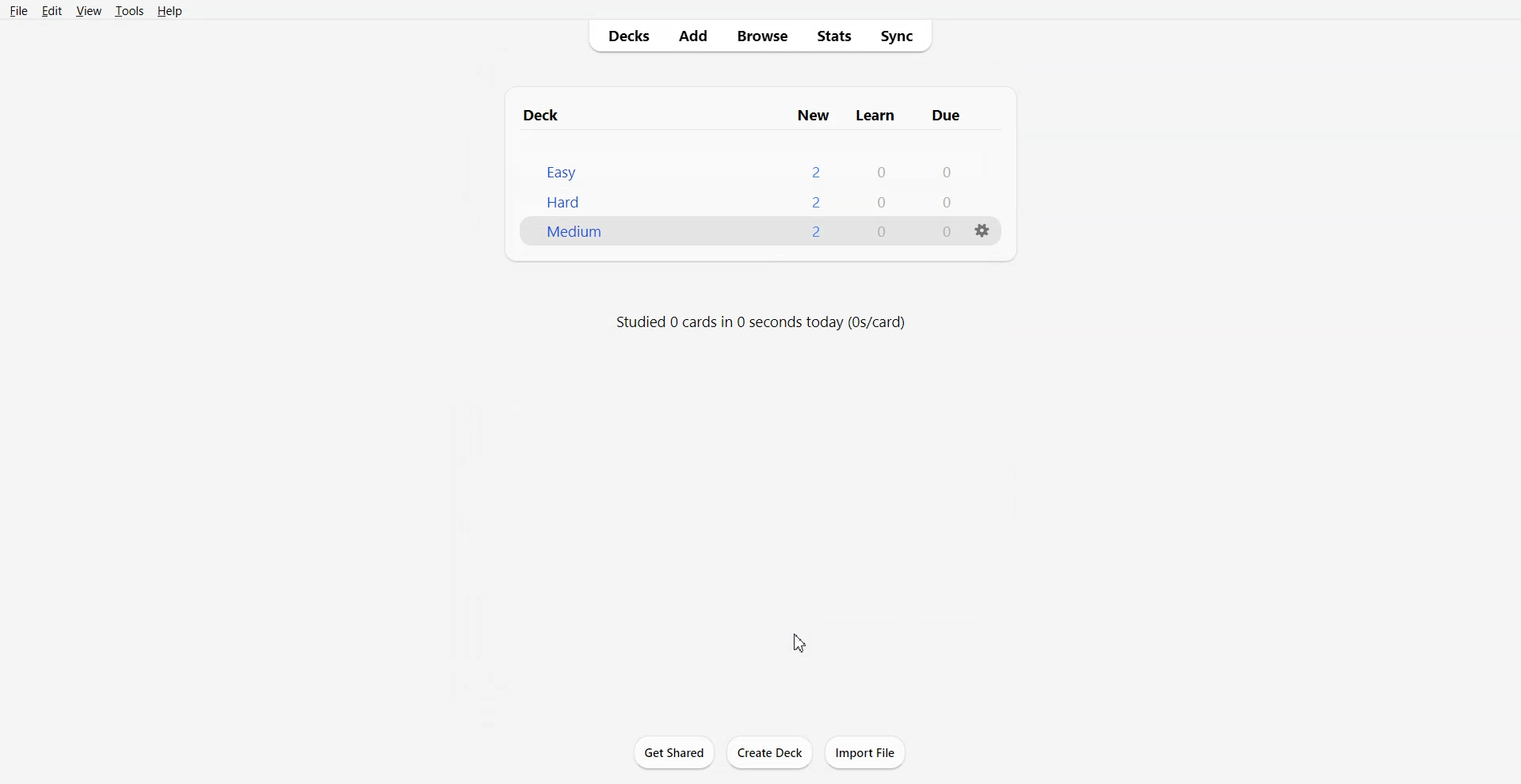 The height and width of the screenshot is (784, 1521). What do you see at coordinates (772, 318) in the screenshot?
I see `studied 0 cards in 0 seconds today (0s/card)` at bounding box center [772, 318].